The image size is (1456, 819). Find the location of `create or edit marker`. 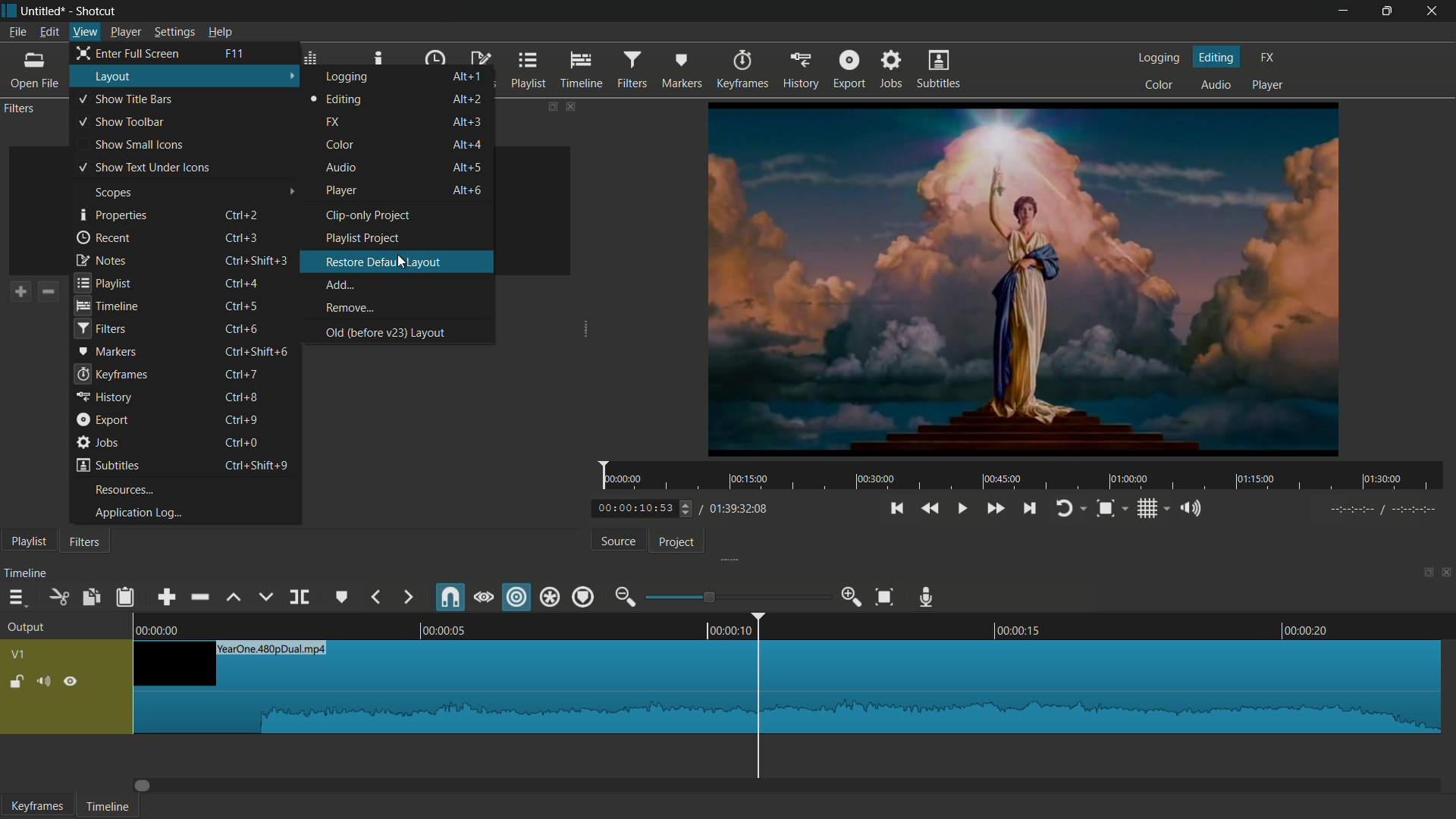

create or edit marker is located at coordinates (343, 598).